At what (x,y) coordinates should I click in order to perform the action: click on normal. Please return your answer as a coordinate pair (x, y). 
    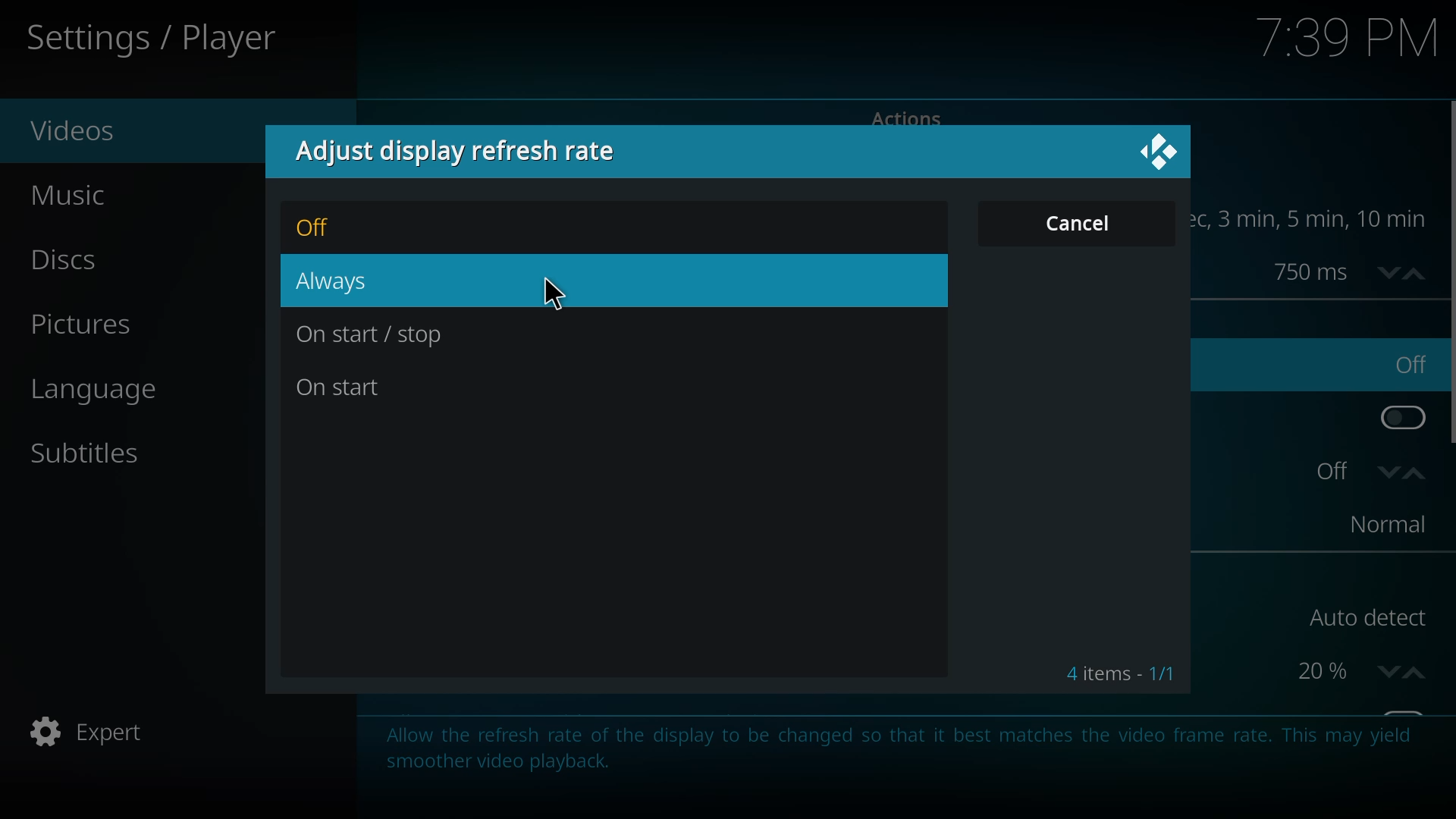
    Looking at the image, I should click on (1381, 525).